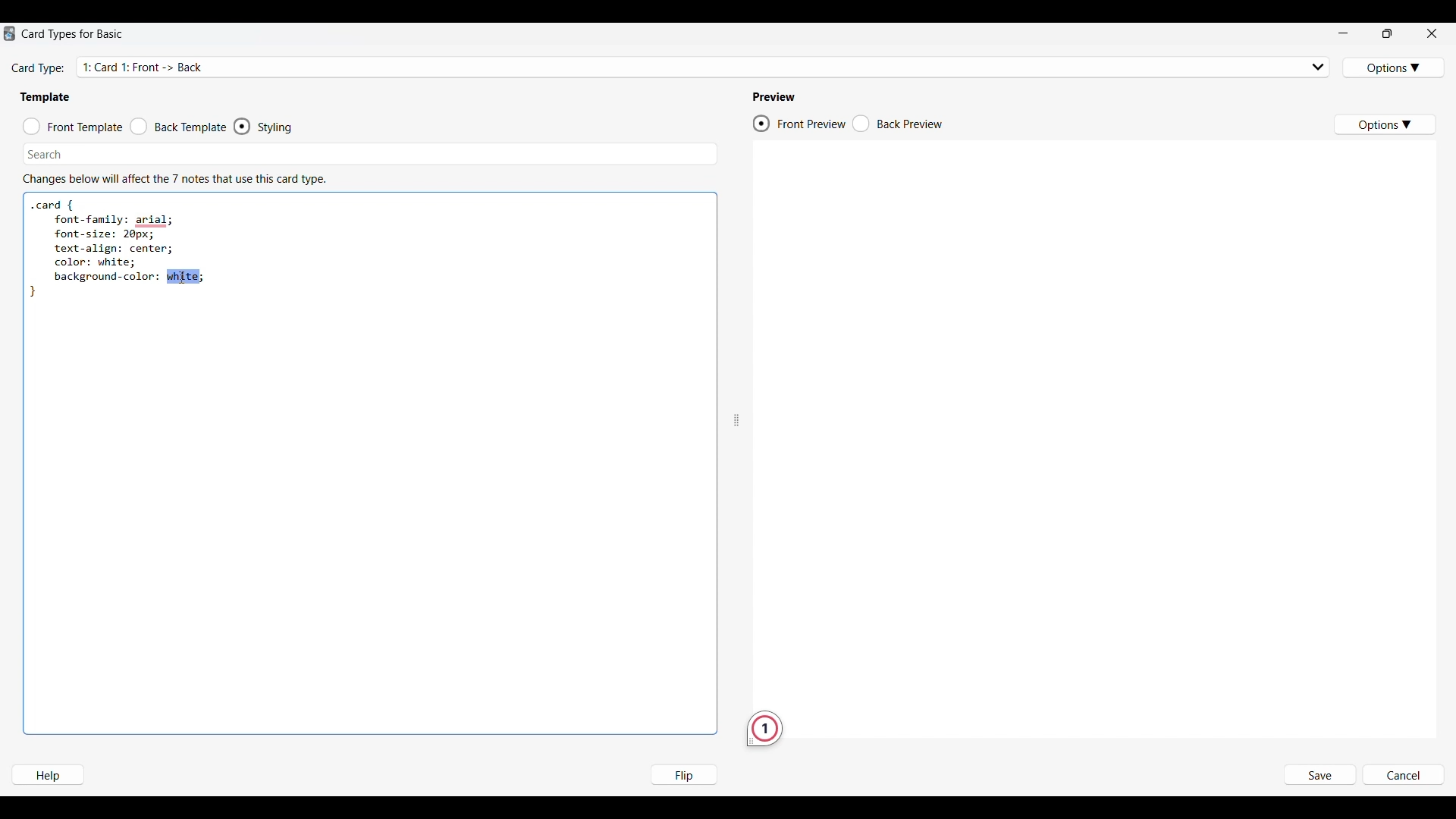  What do you see at coordinates (174, 179) in the screenshot?
I see `Description of section` at bounding box center [174, 179].